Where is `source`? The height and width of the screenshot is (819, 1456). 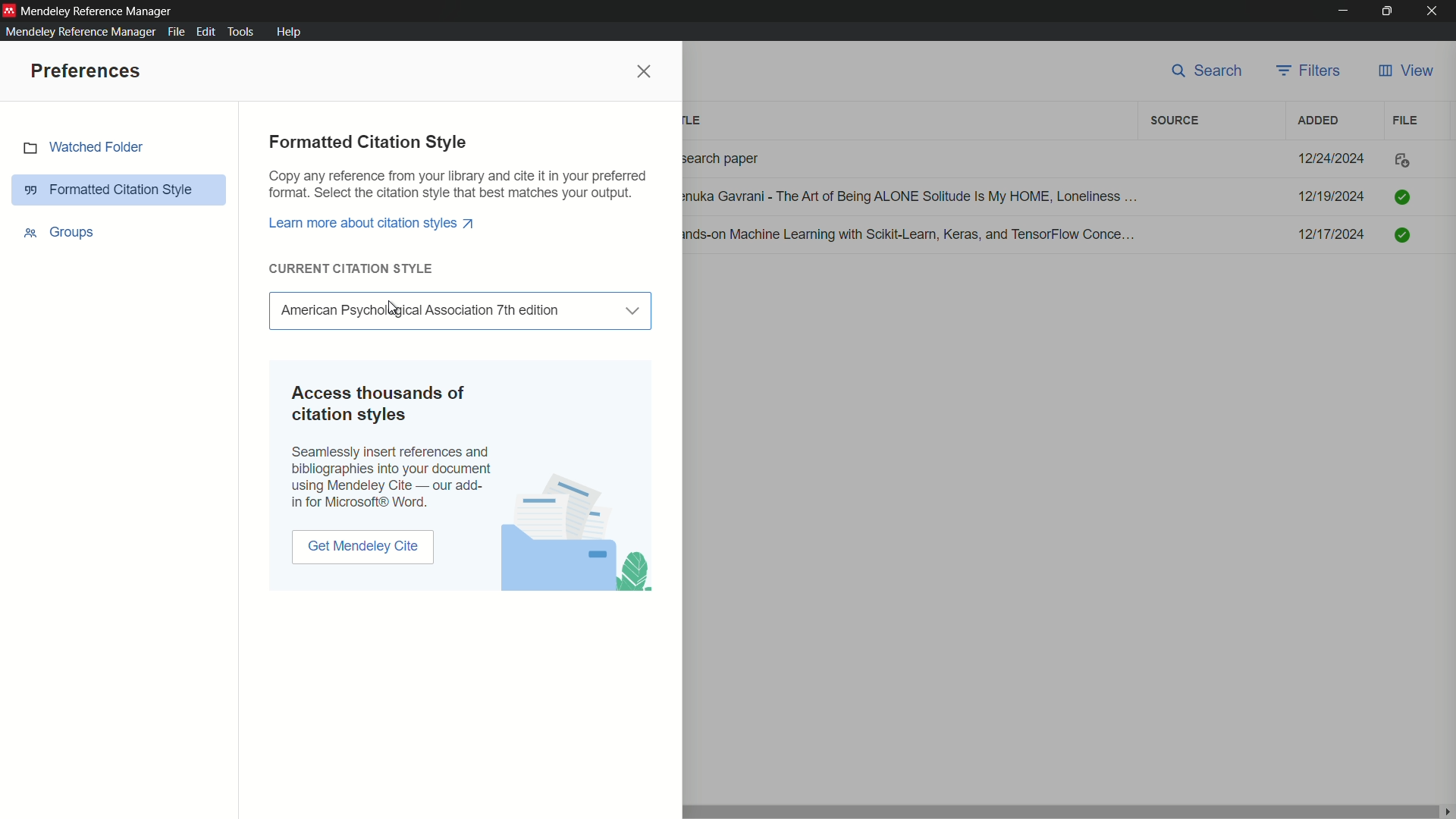
source is located at coordinates (1175, 121).